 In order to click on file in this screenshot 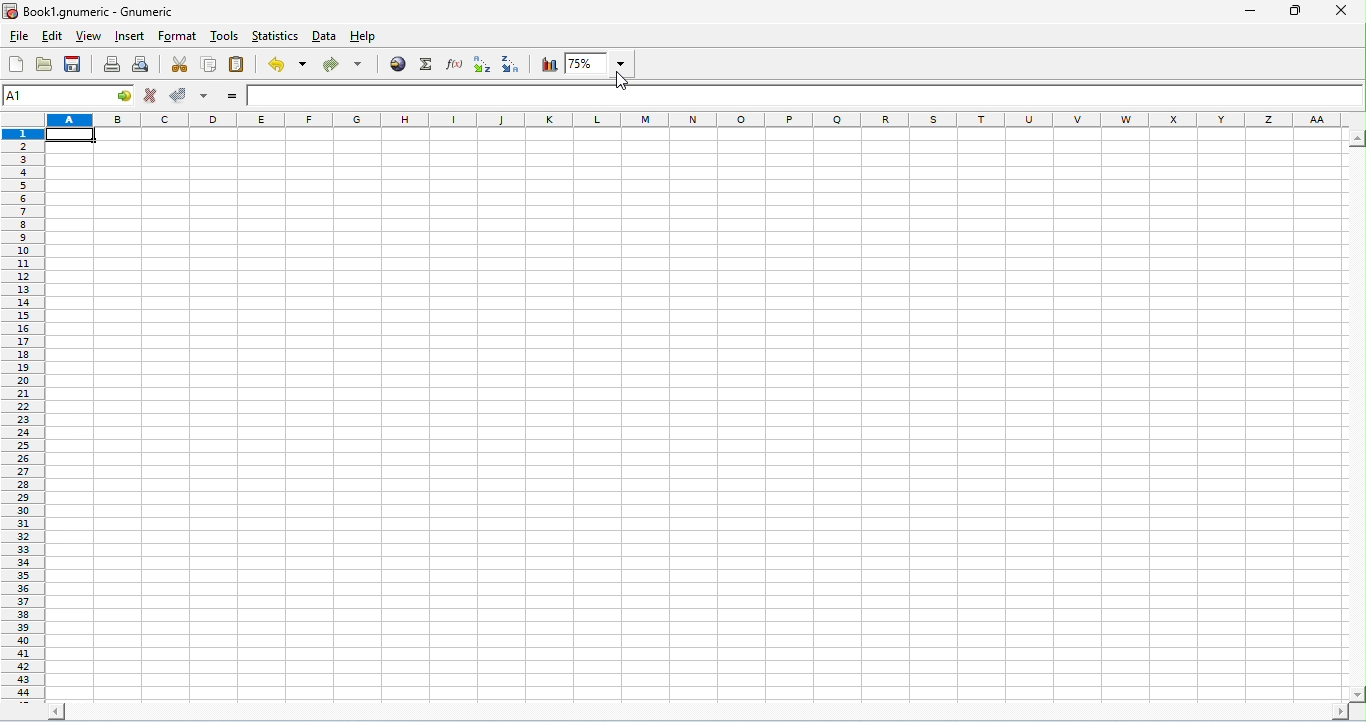, I will do `click(20, 39)`.